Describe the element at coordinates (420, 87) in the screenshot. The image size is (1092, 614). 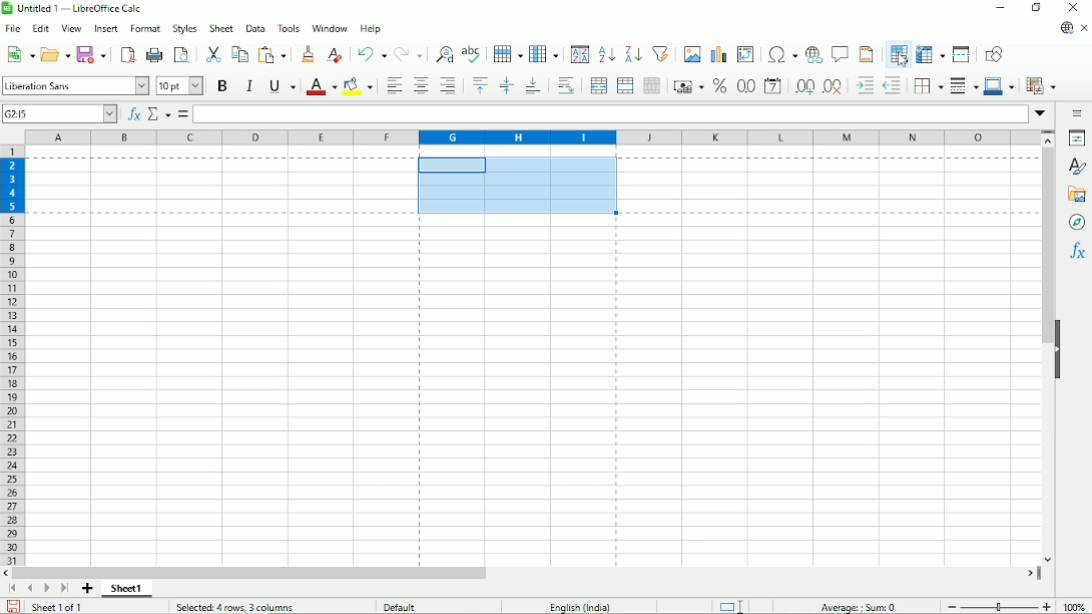
I see `Align center` at that location.